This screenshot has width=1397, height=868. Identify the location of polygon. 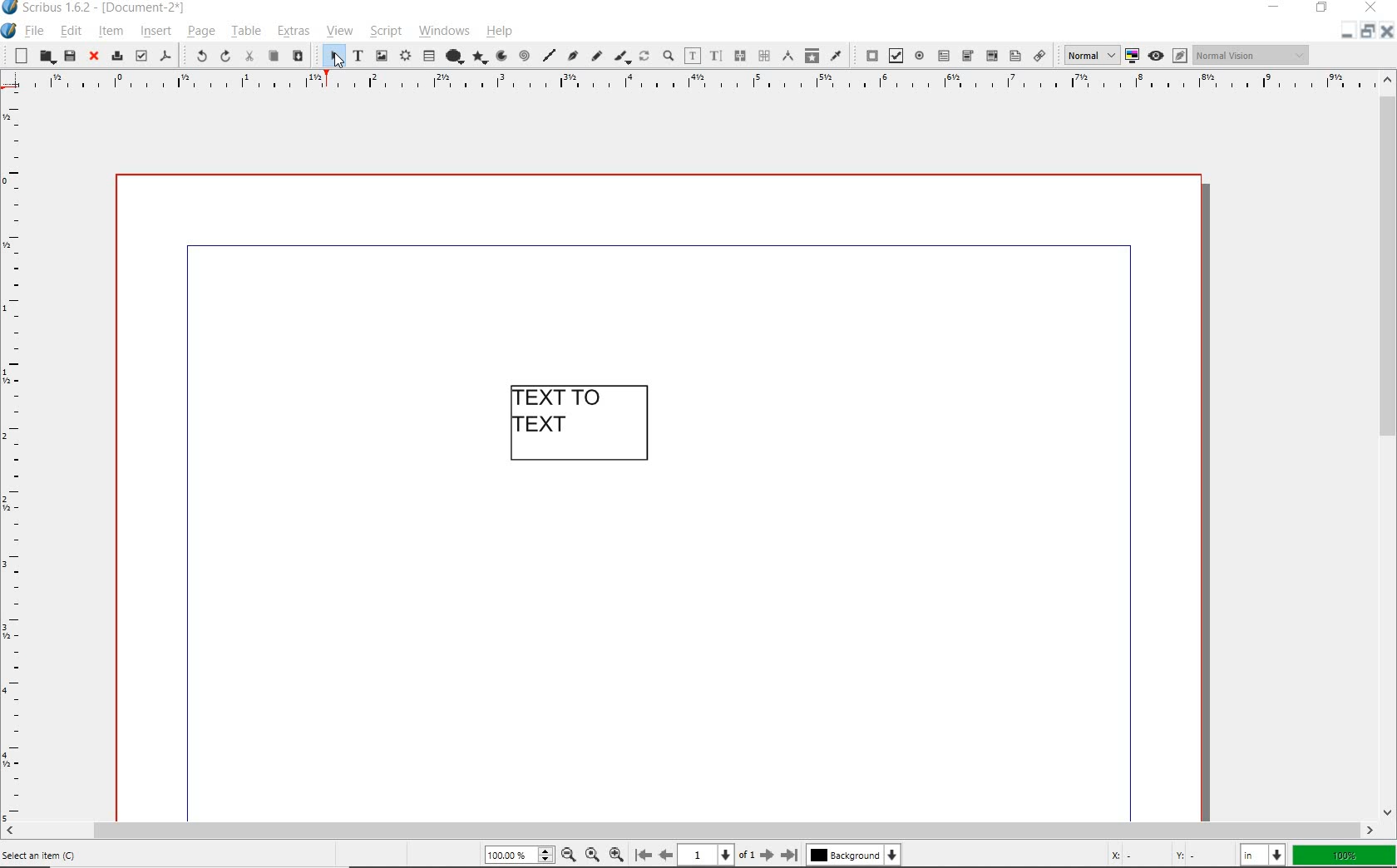
(480, 58).